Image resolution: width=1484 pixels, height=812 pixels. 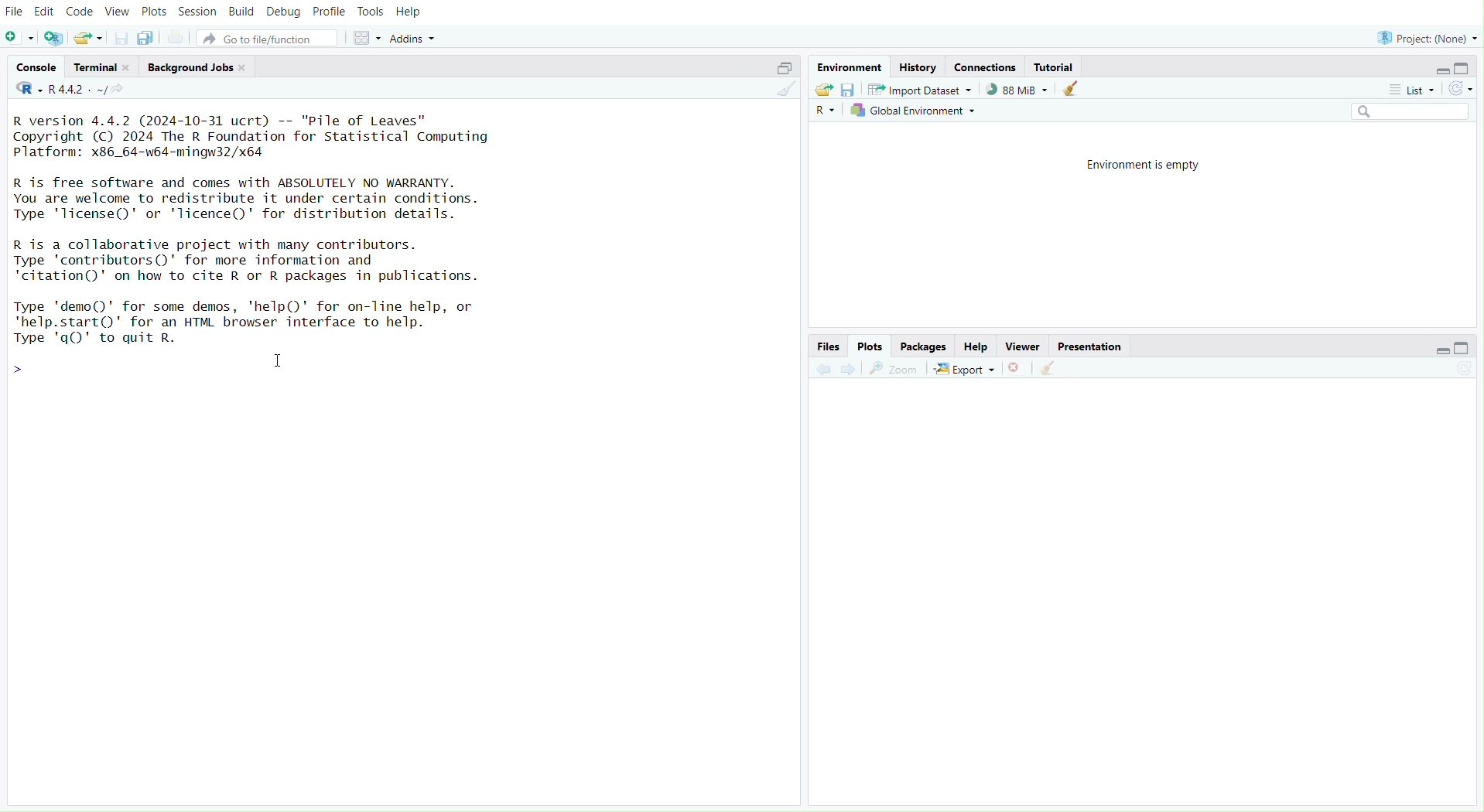 I want to click on Presentation, so click(x=1090, y=347).